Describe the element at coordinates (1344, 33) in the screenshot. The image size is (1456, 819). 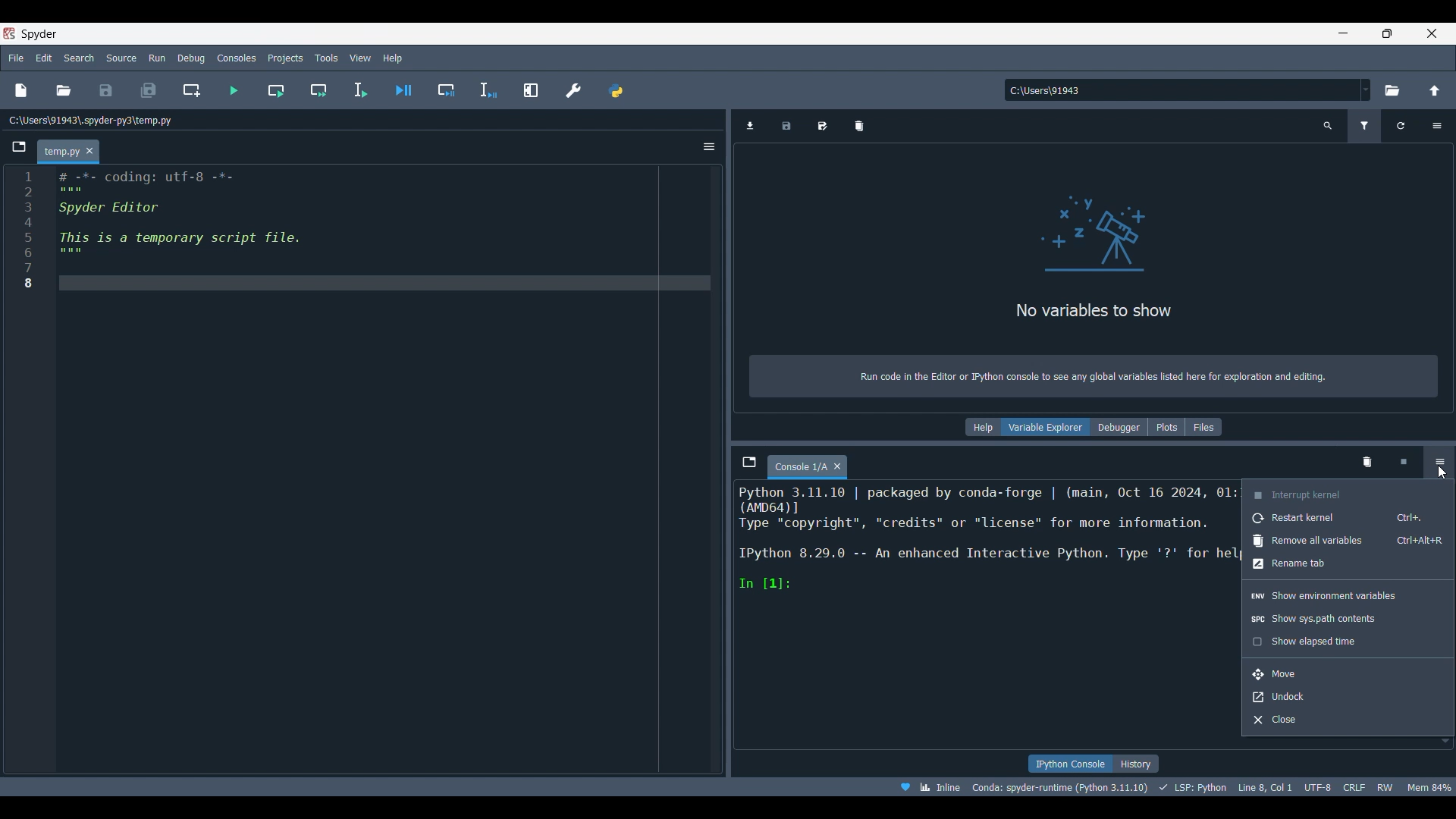
I see `Minimize` at that location.